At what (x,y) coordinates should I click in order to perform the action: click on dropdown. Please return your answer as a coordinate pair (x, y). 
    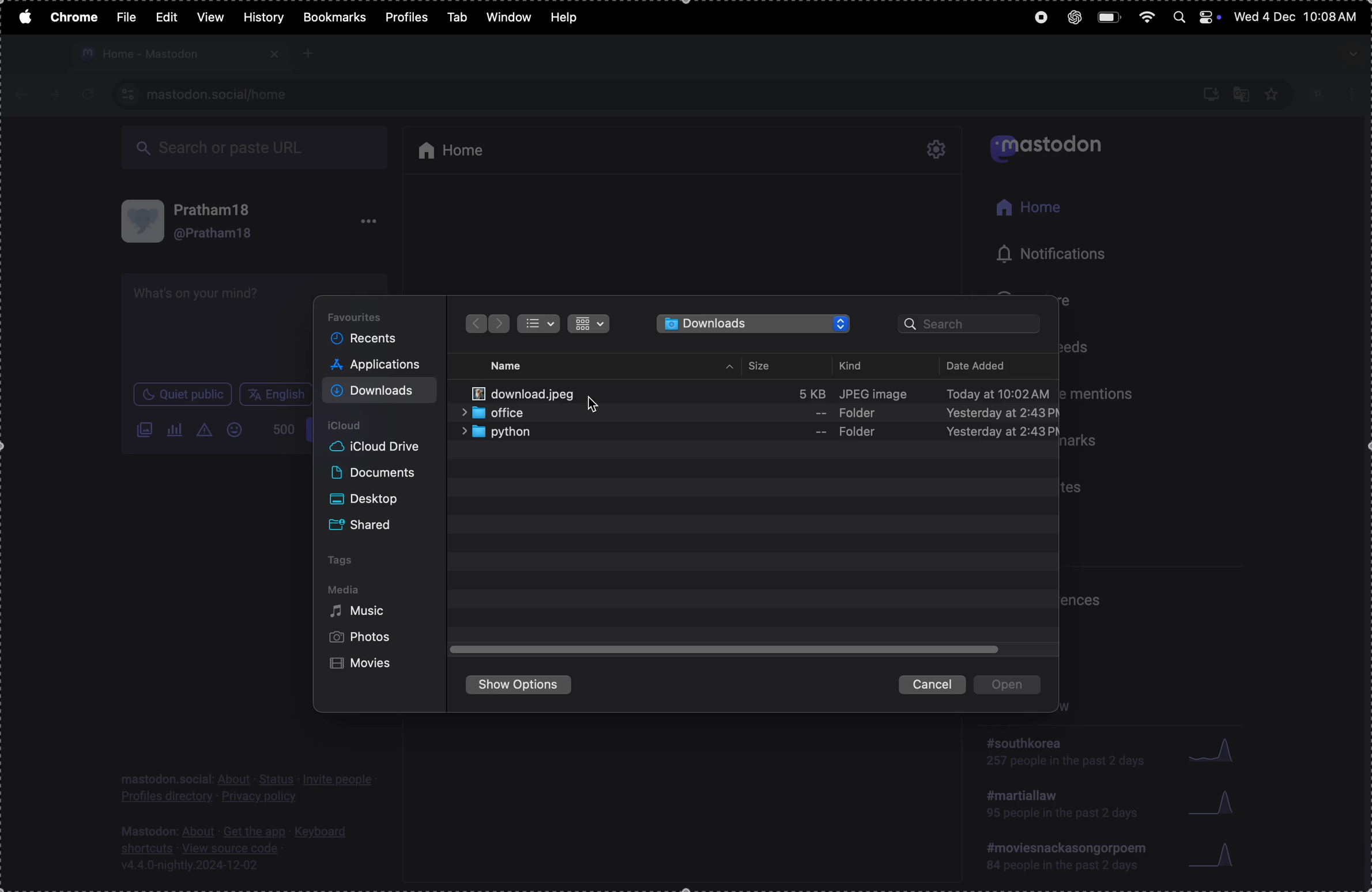
    Looking at the image, I should click on (1351, 54).